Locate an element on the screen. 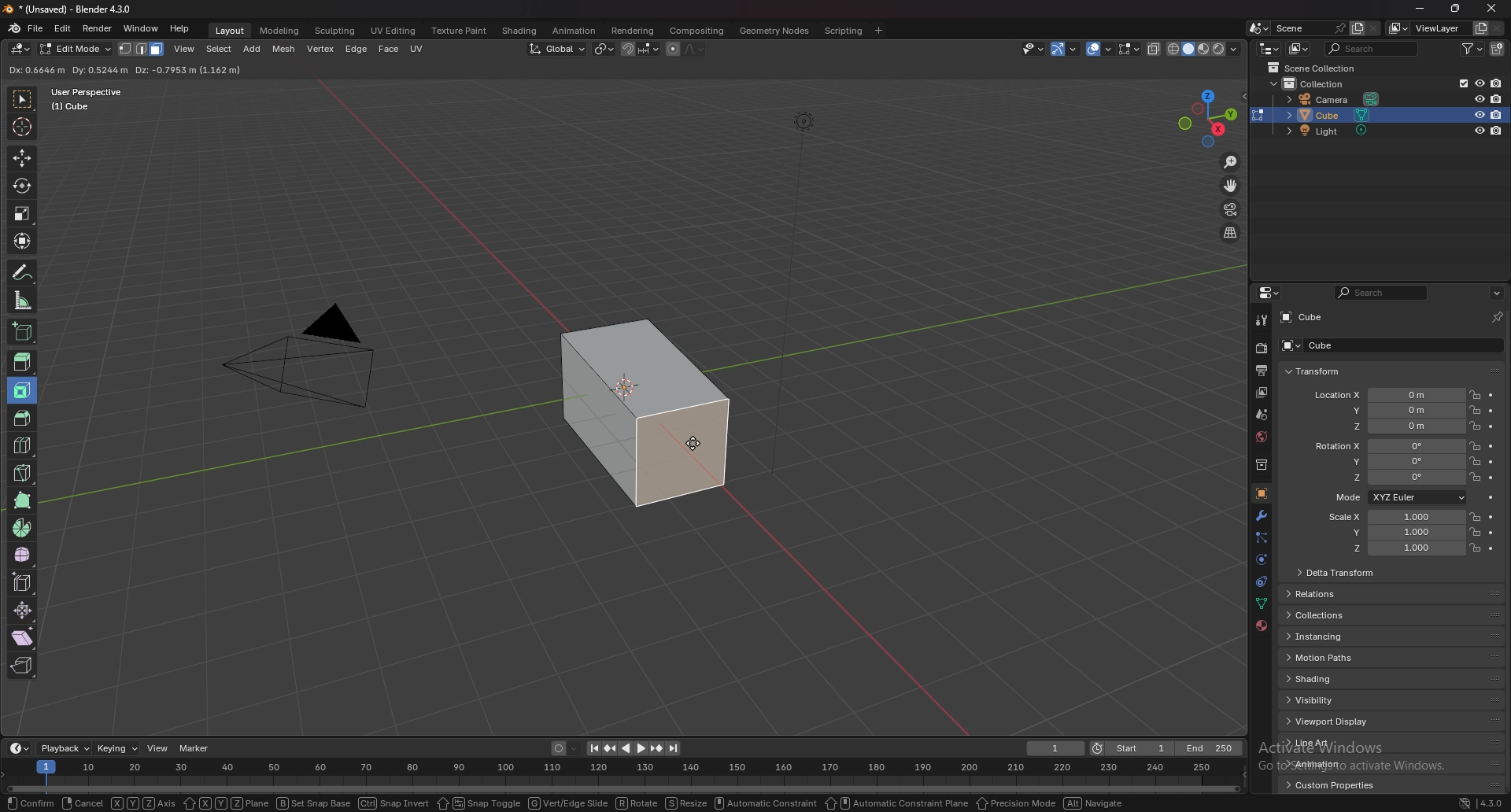  proportional editing objects is located at coordinates (672, 50).